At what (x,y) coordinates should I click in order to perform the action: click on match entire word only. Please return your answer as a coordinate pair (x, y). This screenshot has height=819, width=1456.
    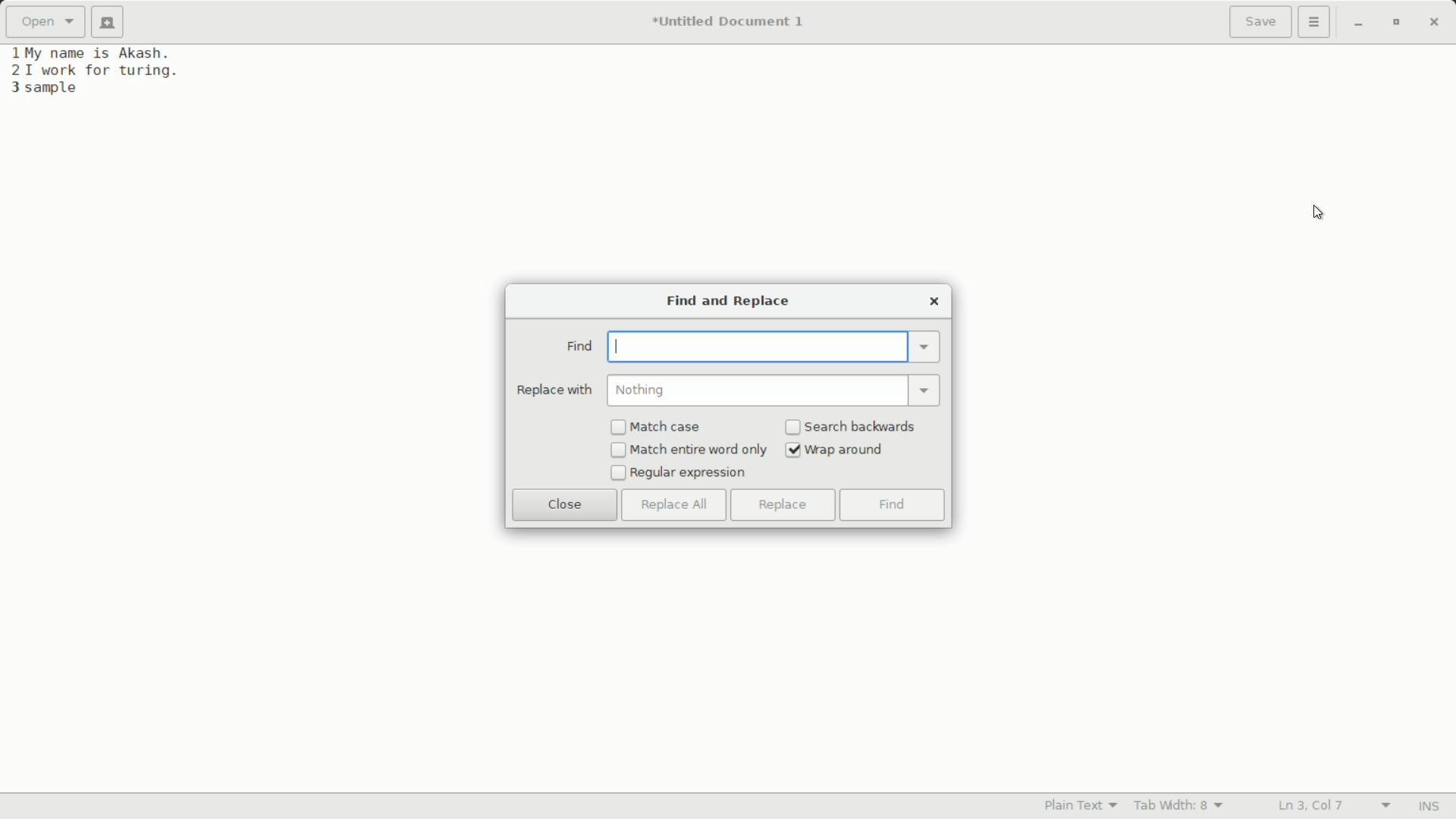
    Looking at the image, I should click on (699, 450).